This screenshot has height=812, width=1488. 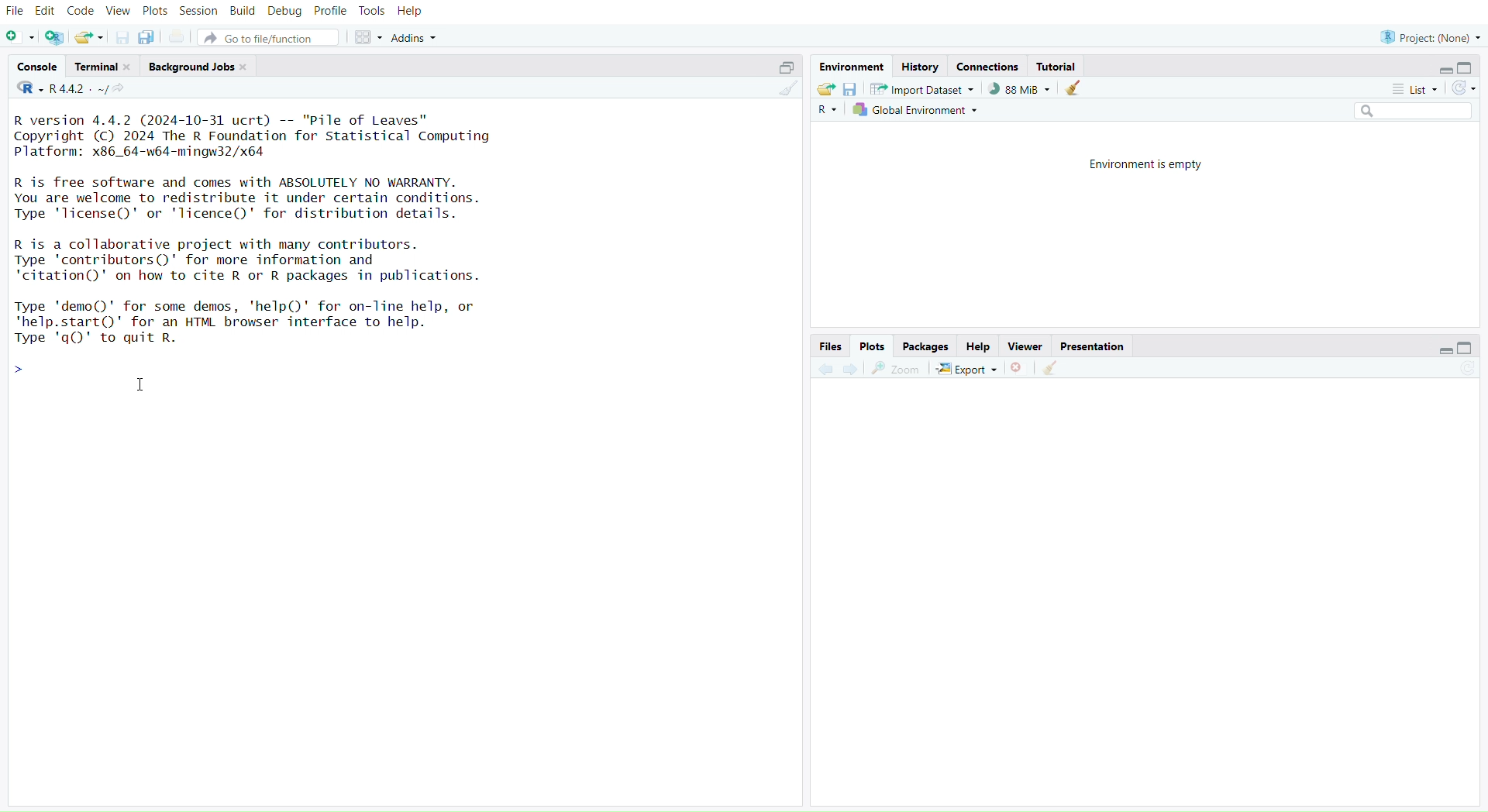 What do you see at coordinates (921, 89) in the screenshot?
I see `import dataset` at bounding box center [921, 89].